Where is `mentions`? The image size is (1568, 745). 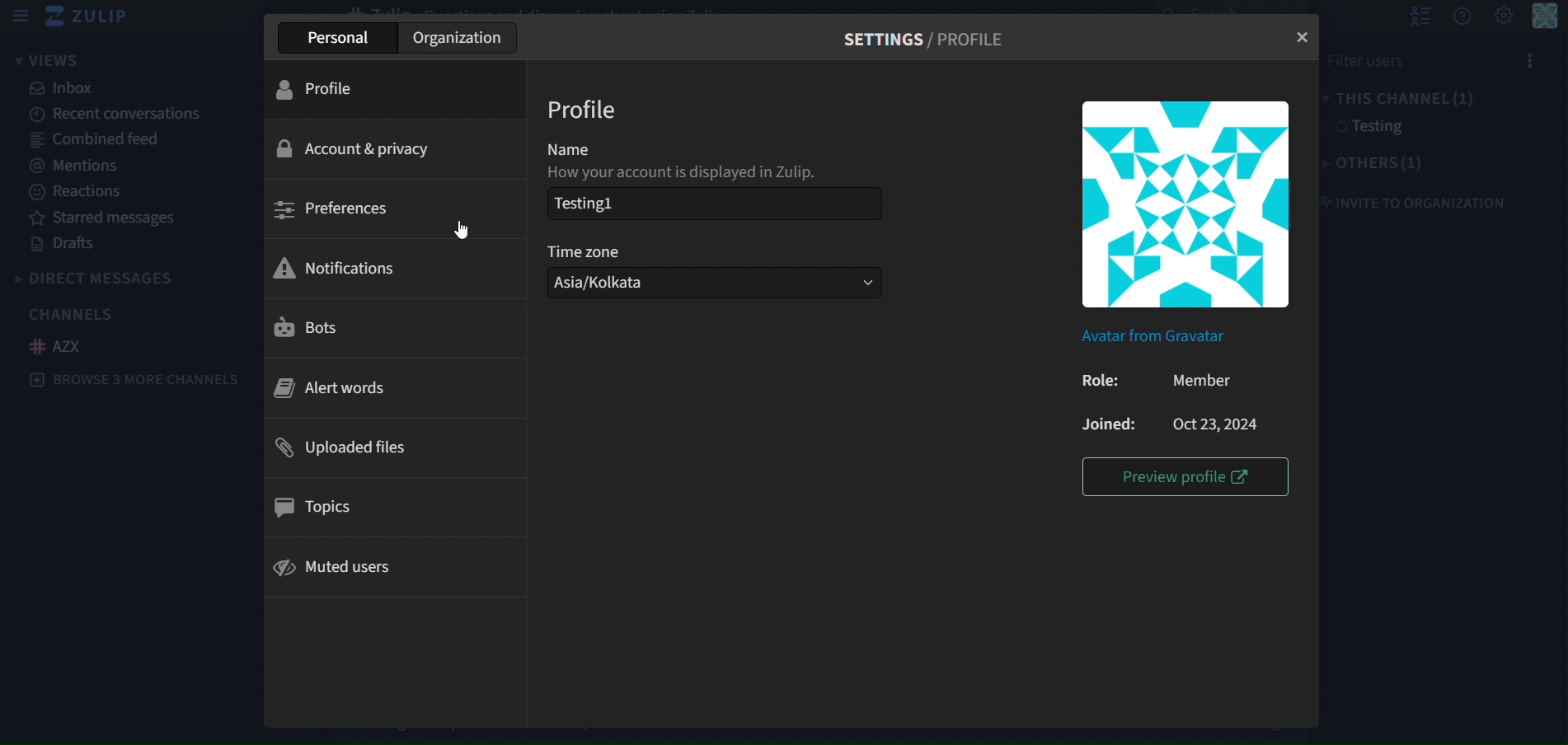 mentions is located at coordinates (78, 166).